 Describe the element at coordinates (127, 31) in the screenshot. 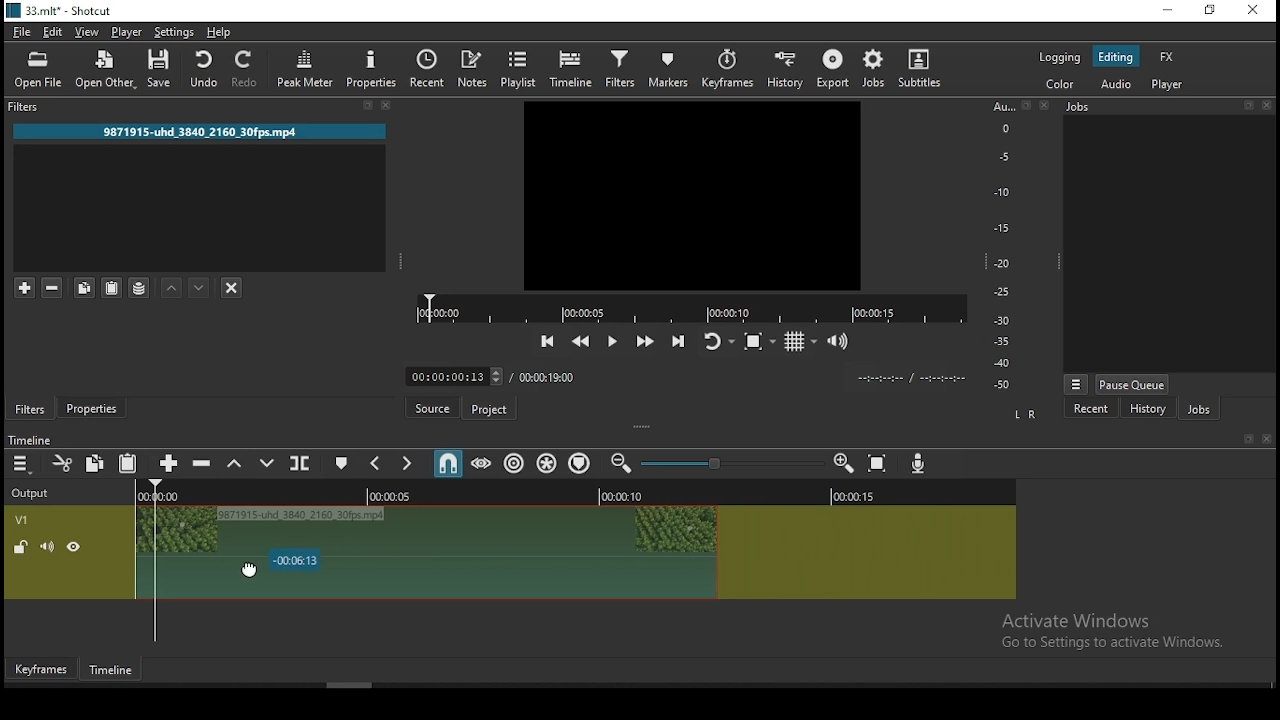

I see `player` at that location.